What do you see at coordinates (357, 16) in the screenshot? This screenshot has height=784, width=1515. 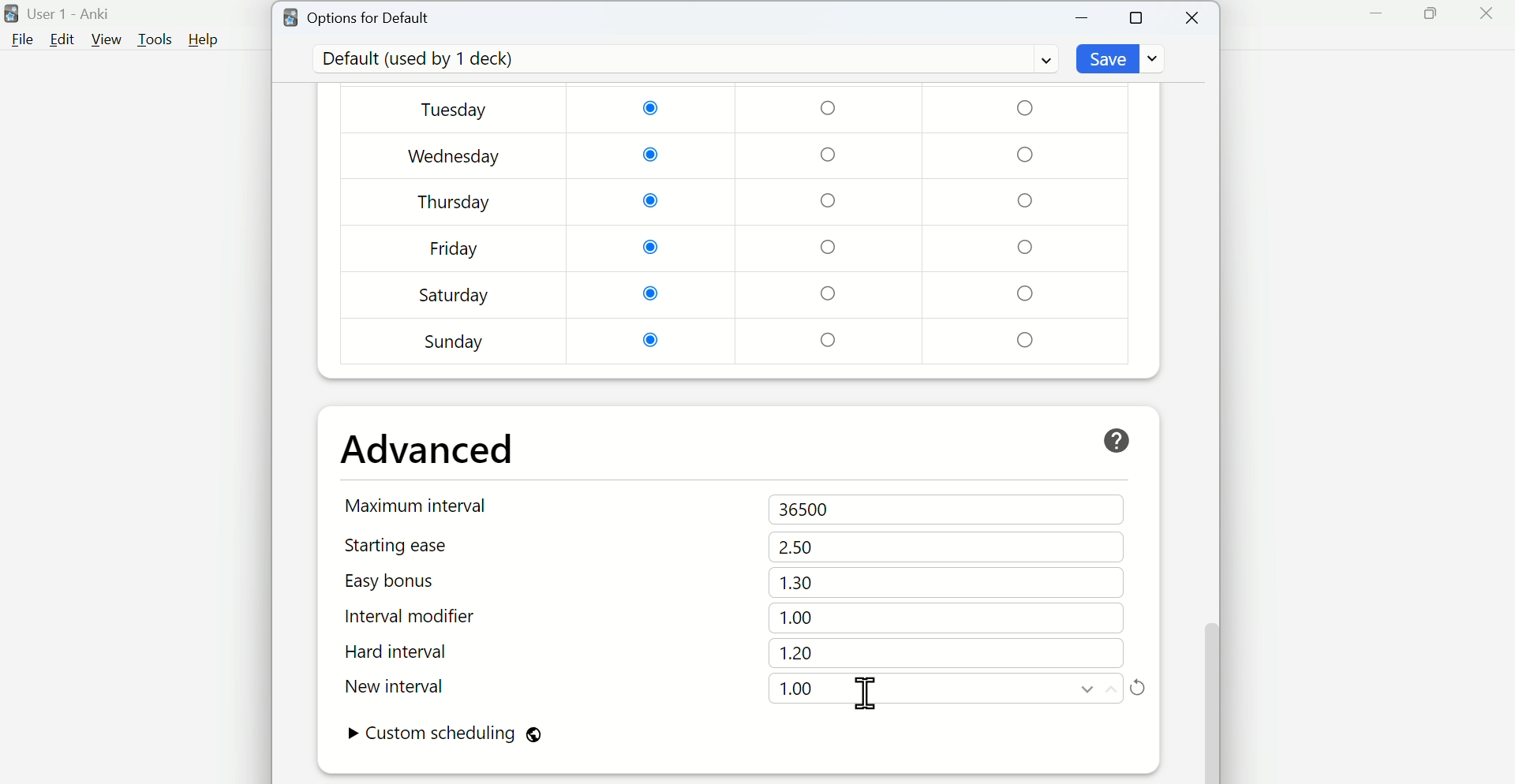 I see `Options for Default` at bounding box center [357, 16].